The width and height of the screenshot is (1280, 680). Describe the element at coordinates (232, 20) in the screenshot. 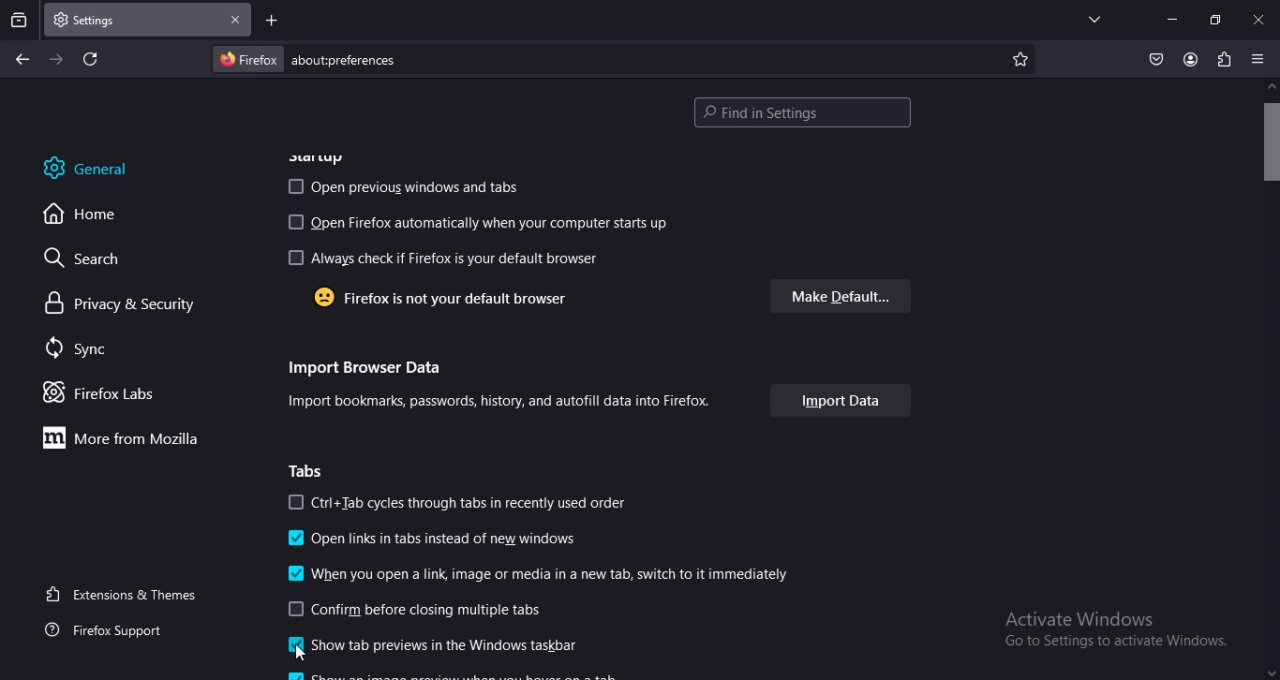

I see `close tab` at that location.